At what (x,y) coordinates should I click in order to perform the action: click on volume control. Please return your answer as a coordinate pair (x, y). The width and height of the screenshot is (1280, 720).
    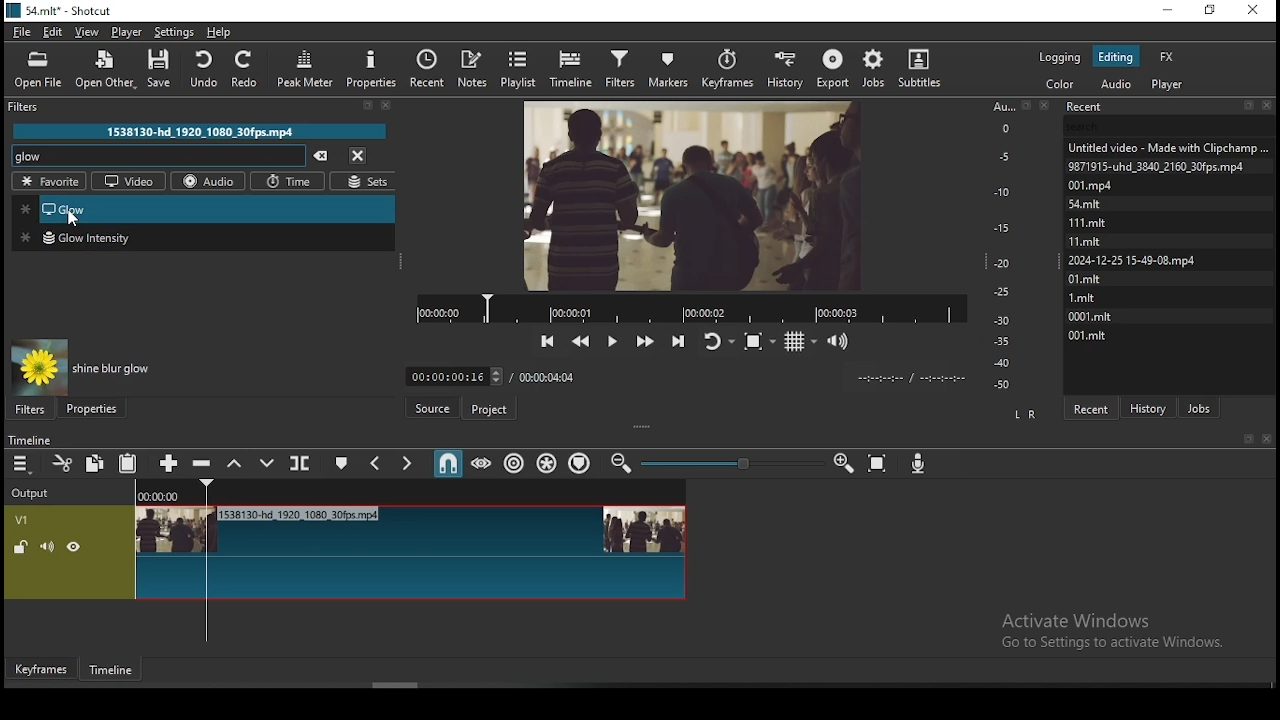
    Looking at the image, I should click on (840, 340).